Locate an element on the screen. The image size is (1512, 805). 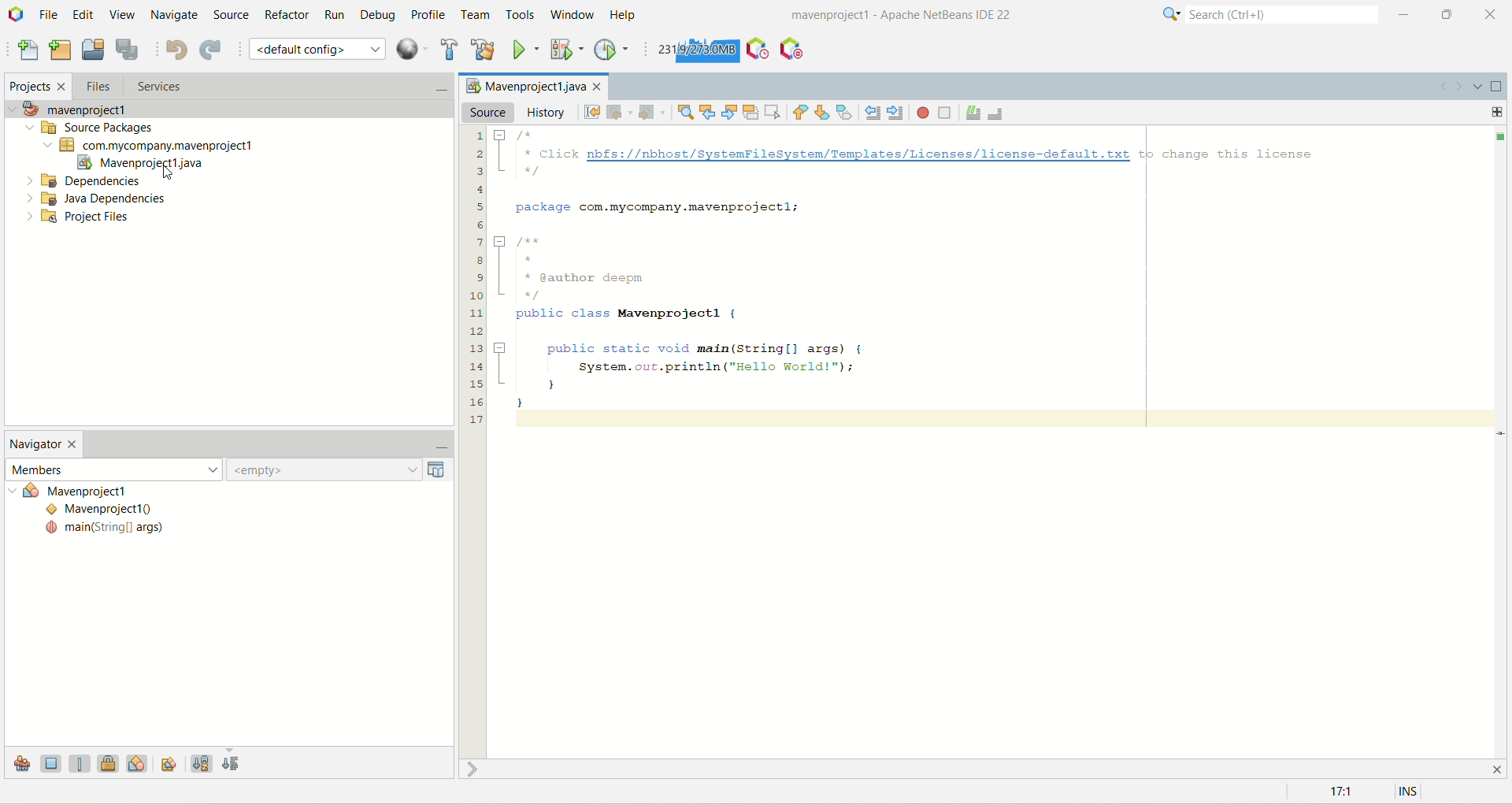
od+ Gauthor deepm*/ public class Mavenproject { is located at coordinates (617, 280).